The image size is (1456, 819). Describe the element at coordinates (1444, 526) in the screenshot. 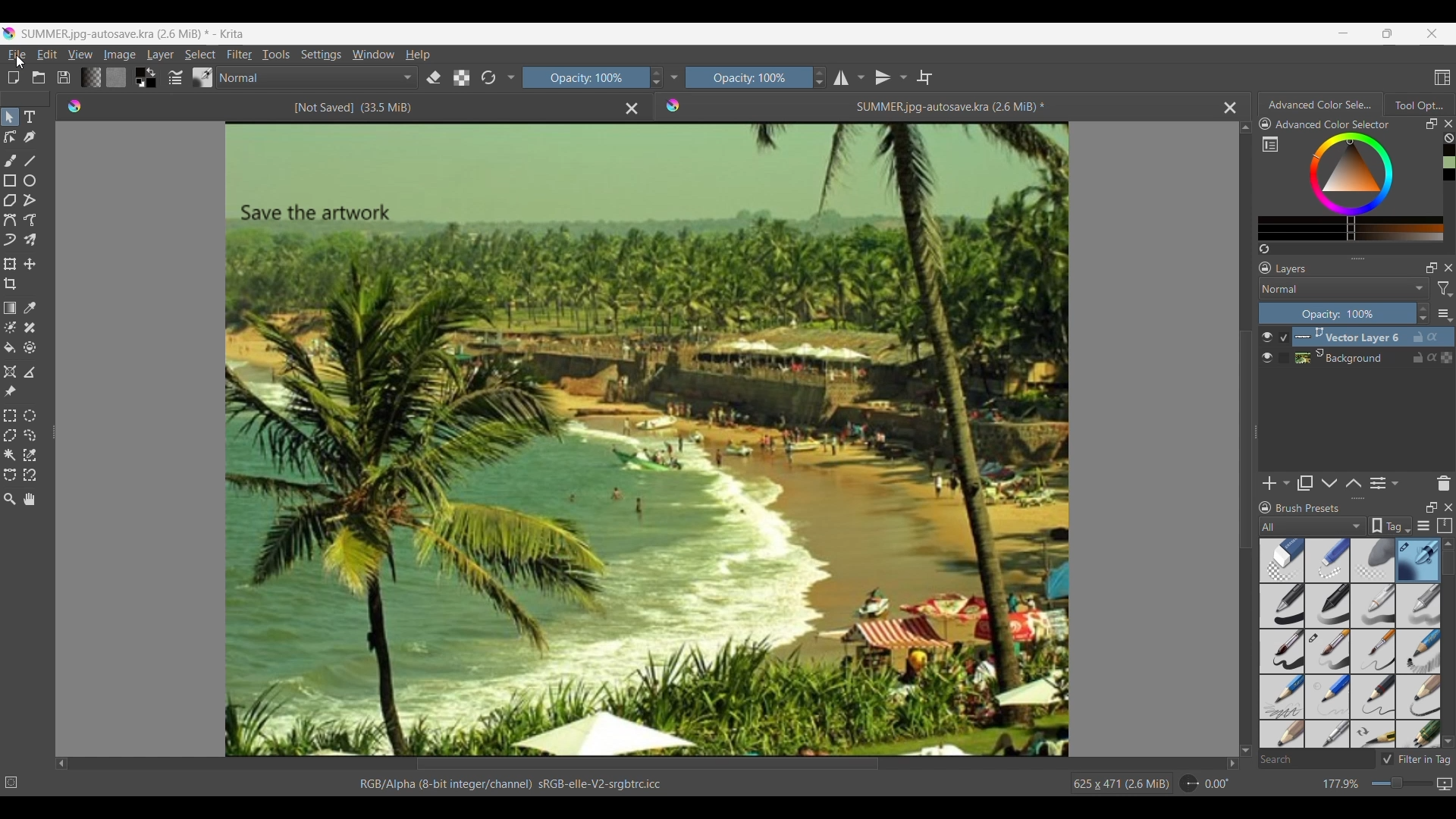

I see `Storage resources` at that location.